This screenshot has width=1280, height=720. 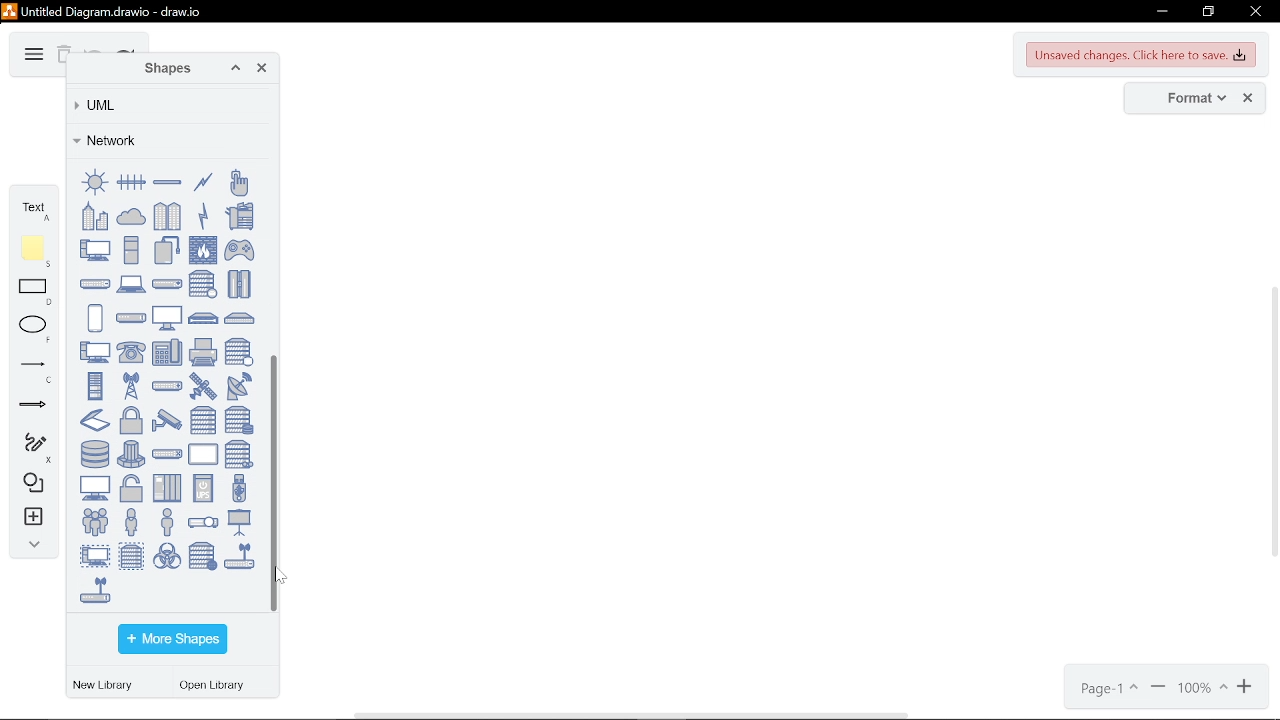 I want to click on restore down, so click(x=1208, y=12).